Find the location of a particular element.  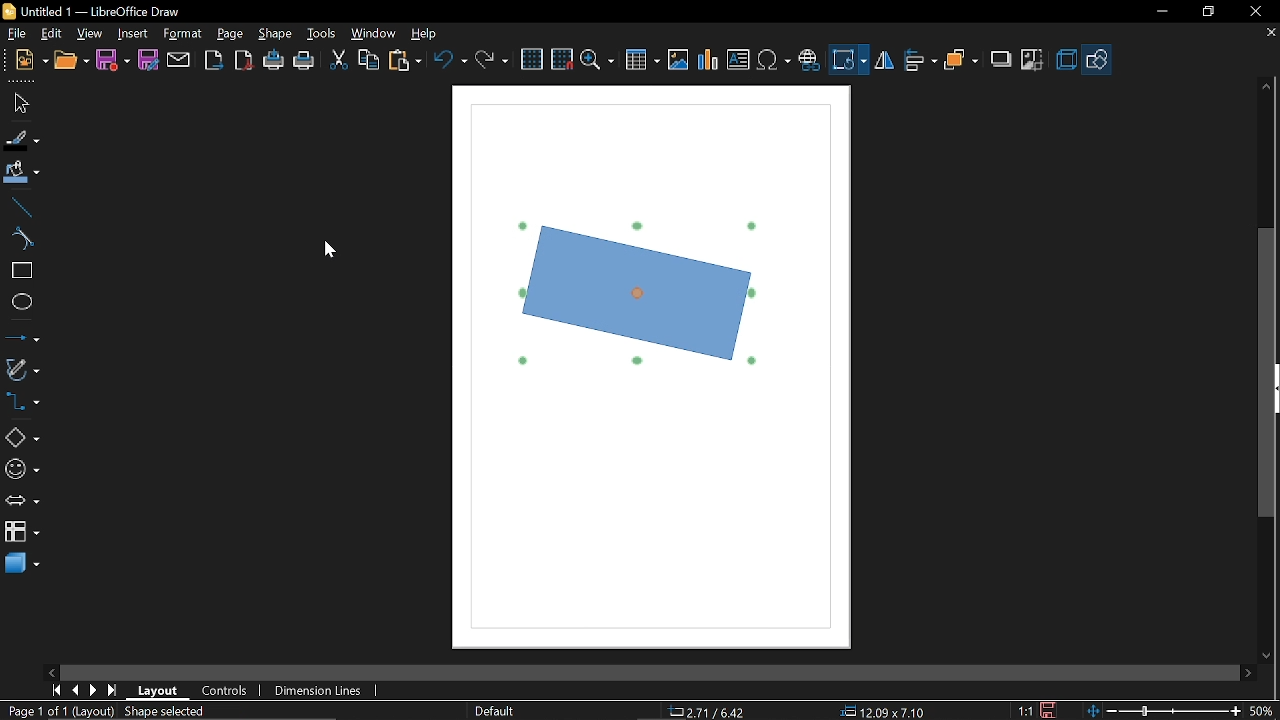

Insert Image is located at coordinates (676, 61).